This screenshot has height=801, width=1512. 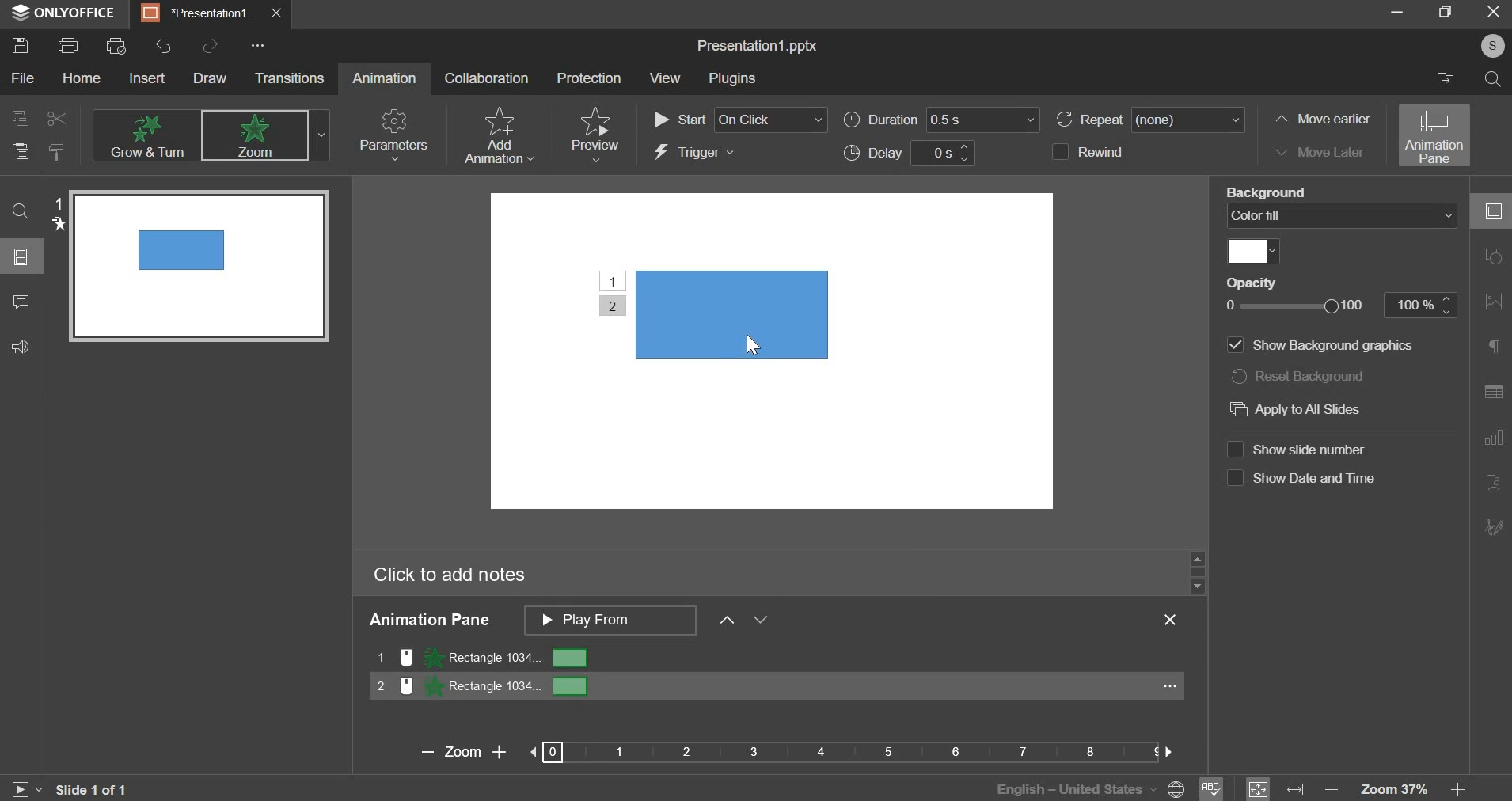 What do you see at coordinates (1317, 379) in the screenshot?
I see `Reset background` at bounding box center [1317, 379].